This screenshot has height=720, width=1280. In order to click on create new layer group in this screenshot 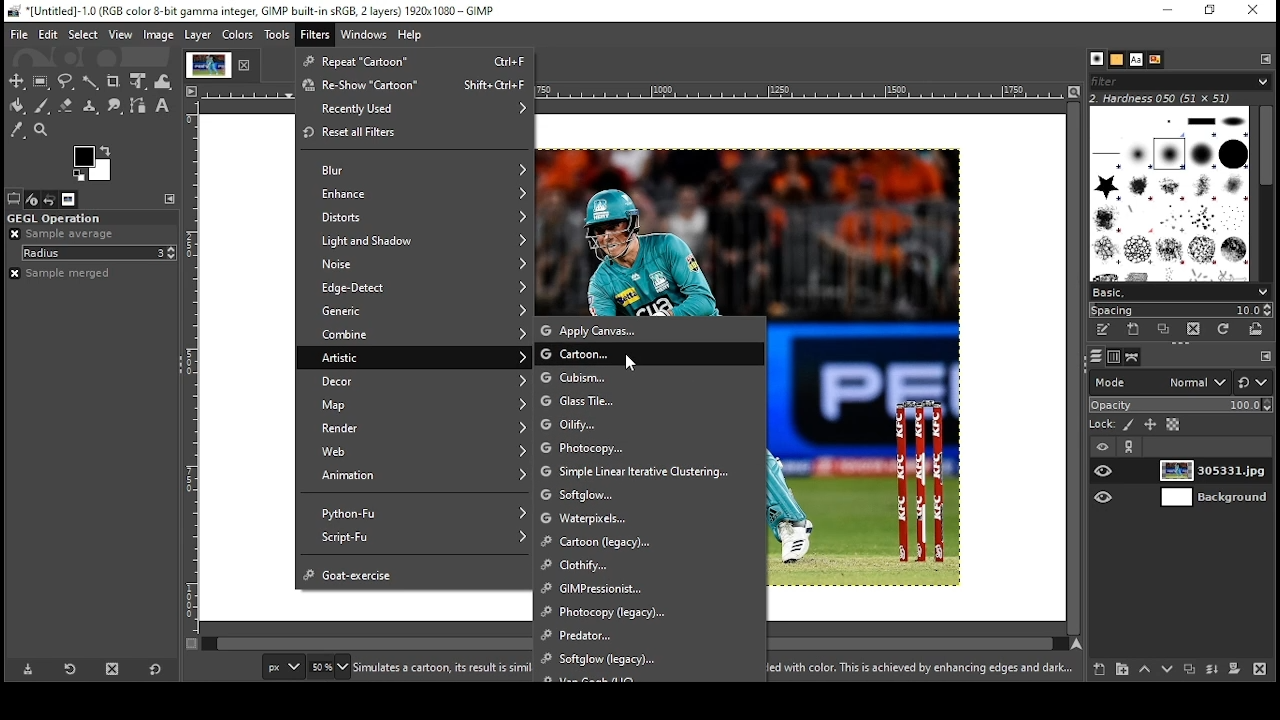, I will do `click(1121, 669)`.